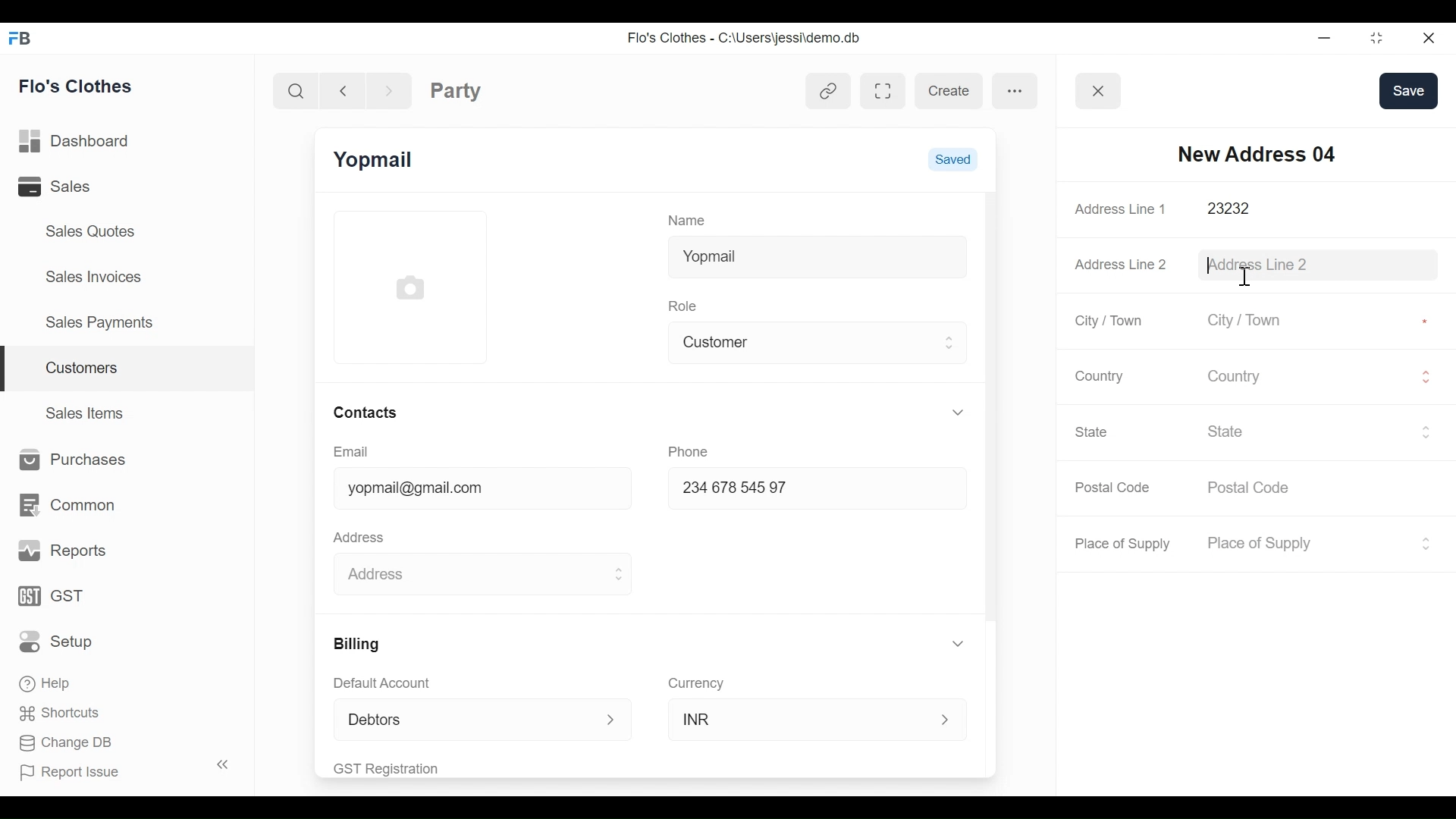 The width and height of the screenshot is (1456, 819). What do you see at coordinates (86, 411) in the screenshot?
I see `Sales Items` at bounding box center [86, 411].